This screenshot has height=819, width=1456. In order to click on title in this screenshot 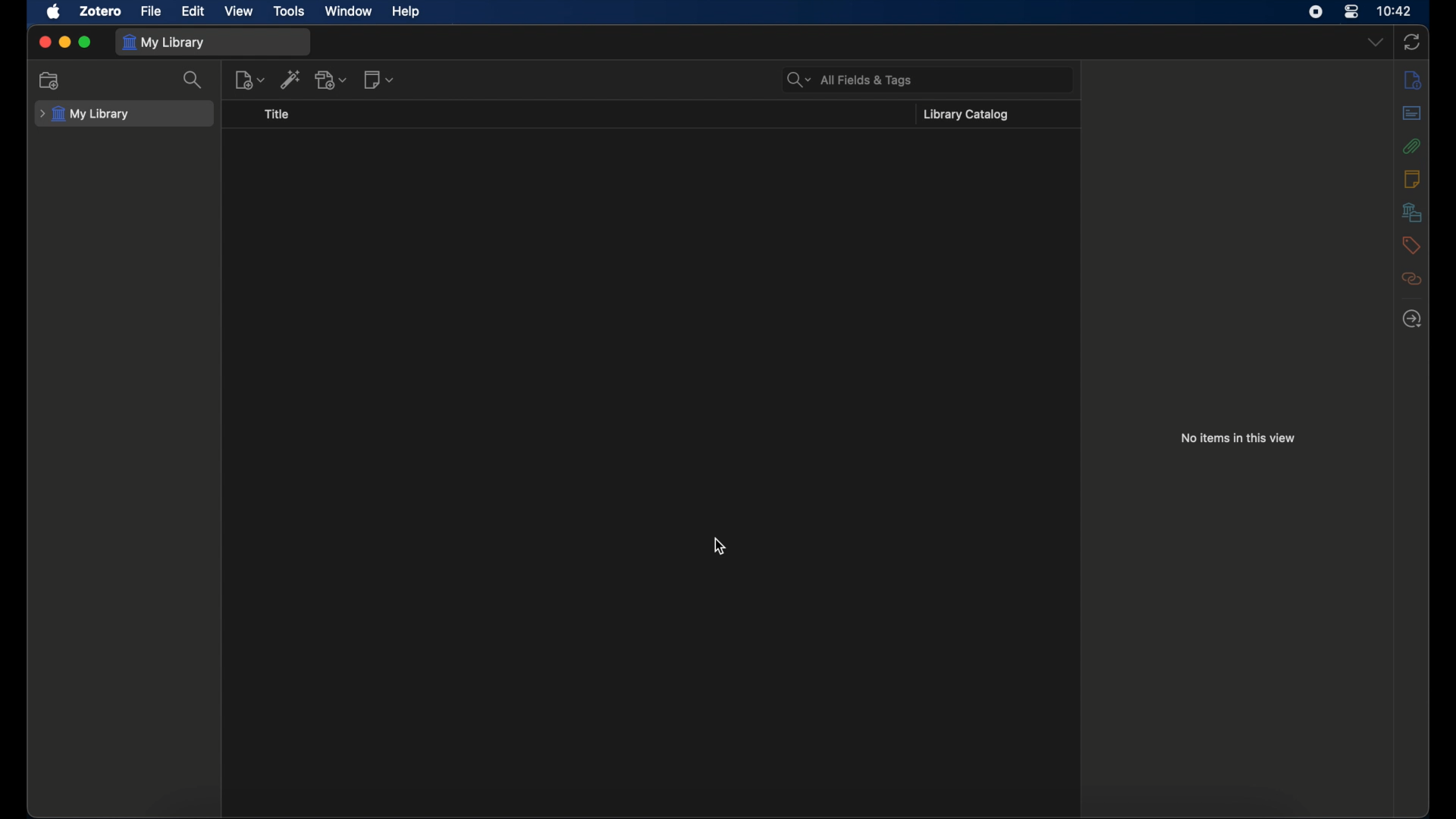, I will do `click(276, 115)`.